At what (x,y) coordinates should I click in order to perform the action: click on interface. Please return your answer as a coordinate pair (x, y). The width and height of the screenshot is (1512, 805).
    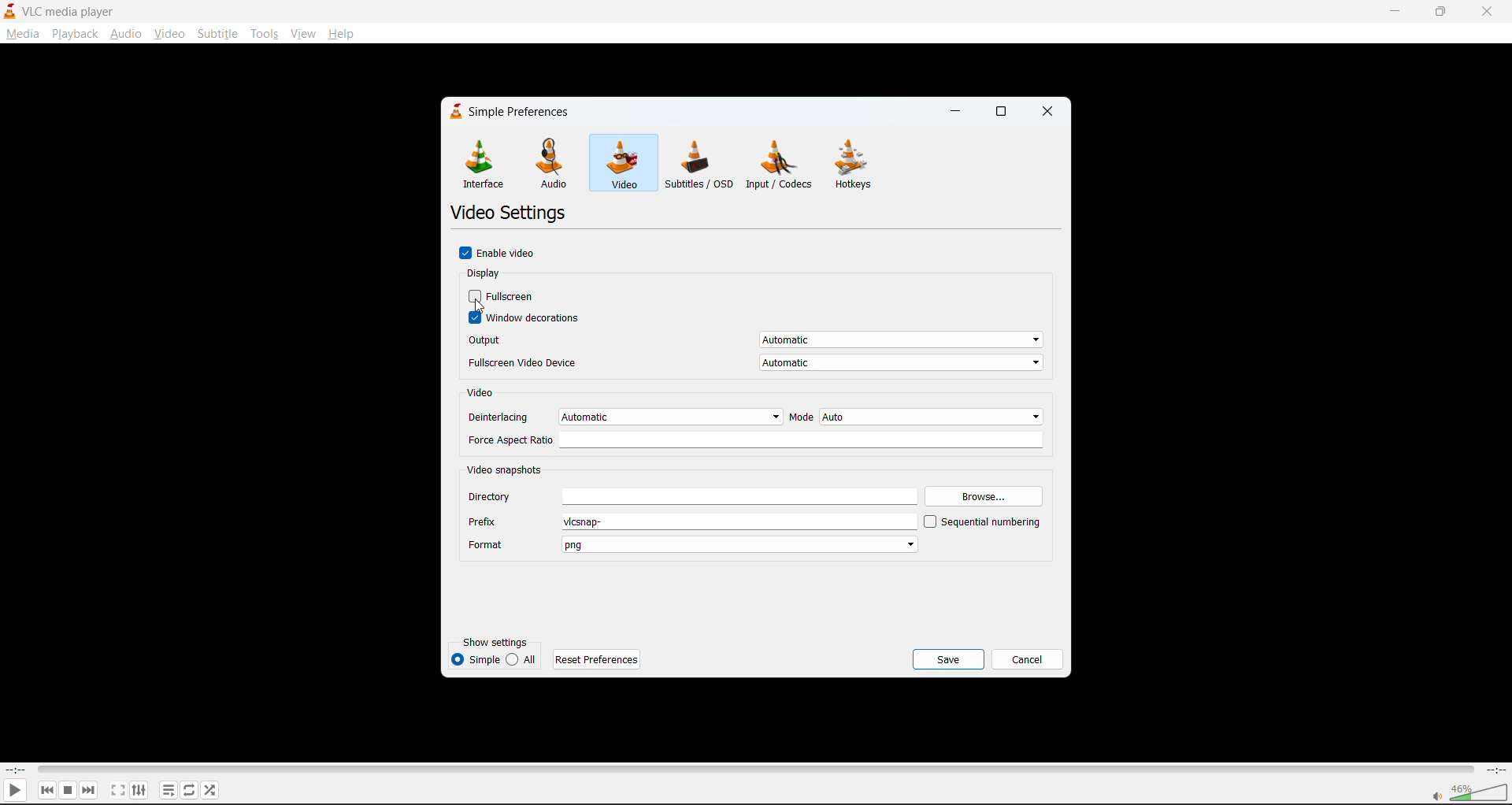
    Looking at the image, I should click on (483, 163).